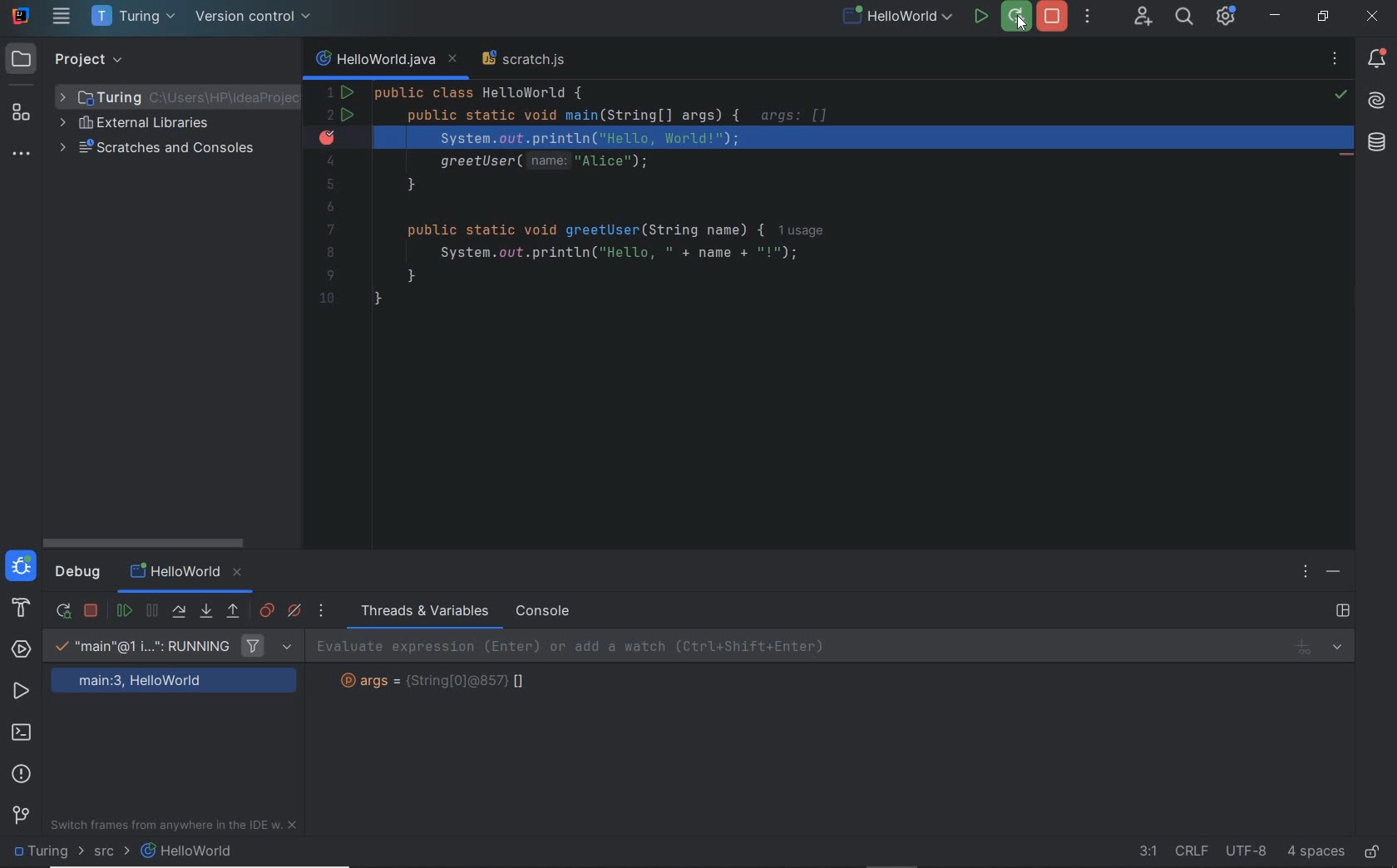 The image size is (1397, 868). I want to click on hide, so click(1333, 572).